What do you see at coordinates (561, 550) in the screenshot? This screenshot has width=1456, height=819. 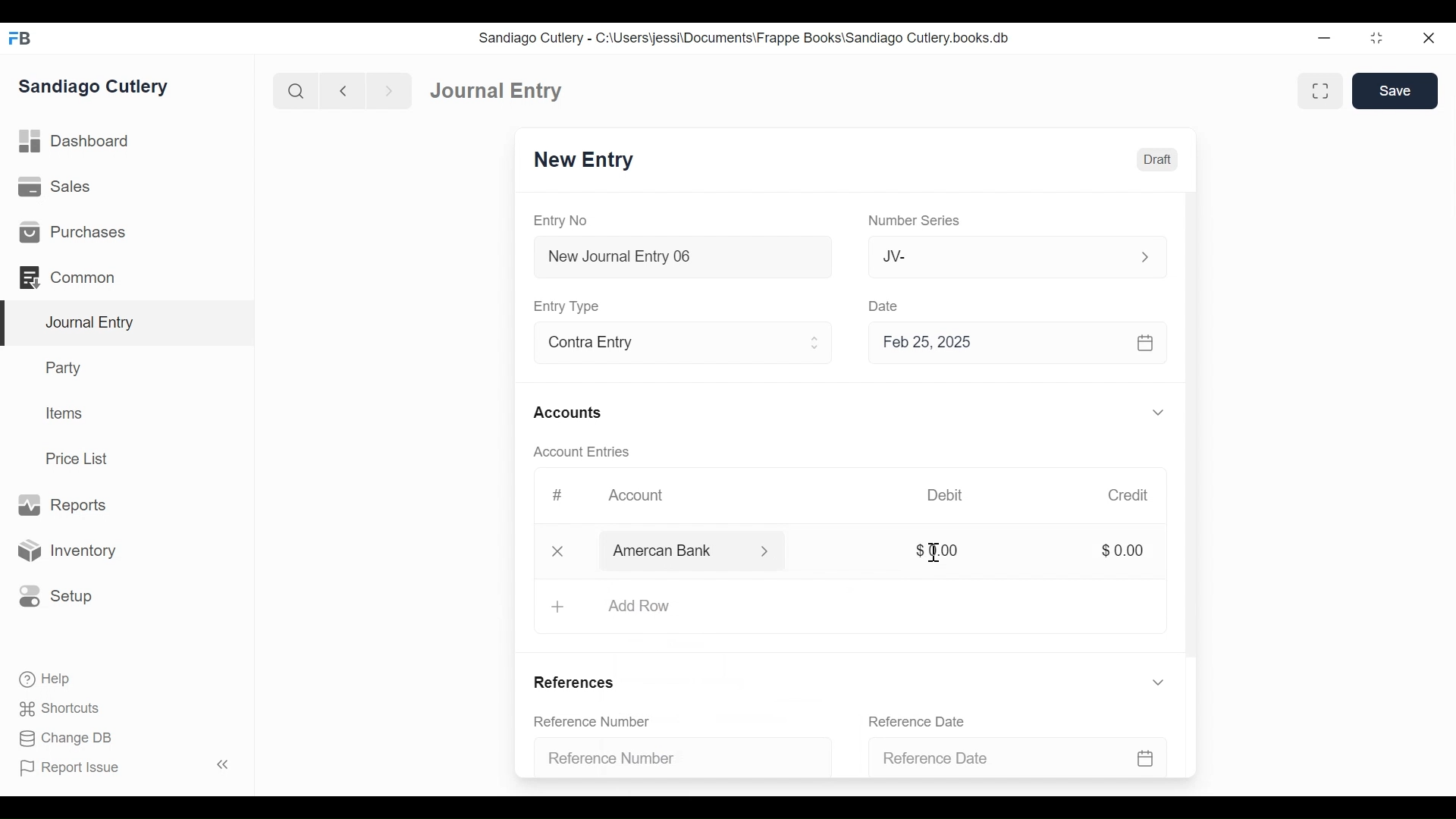 I see `close` at bounding box center [561, 550].